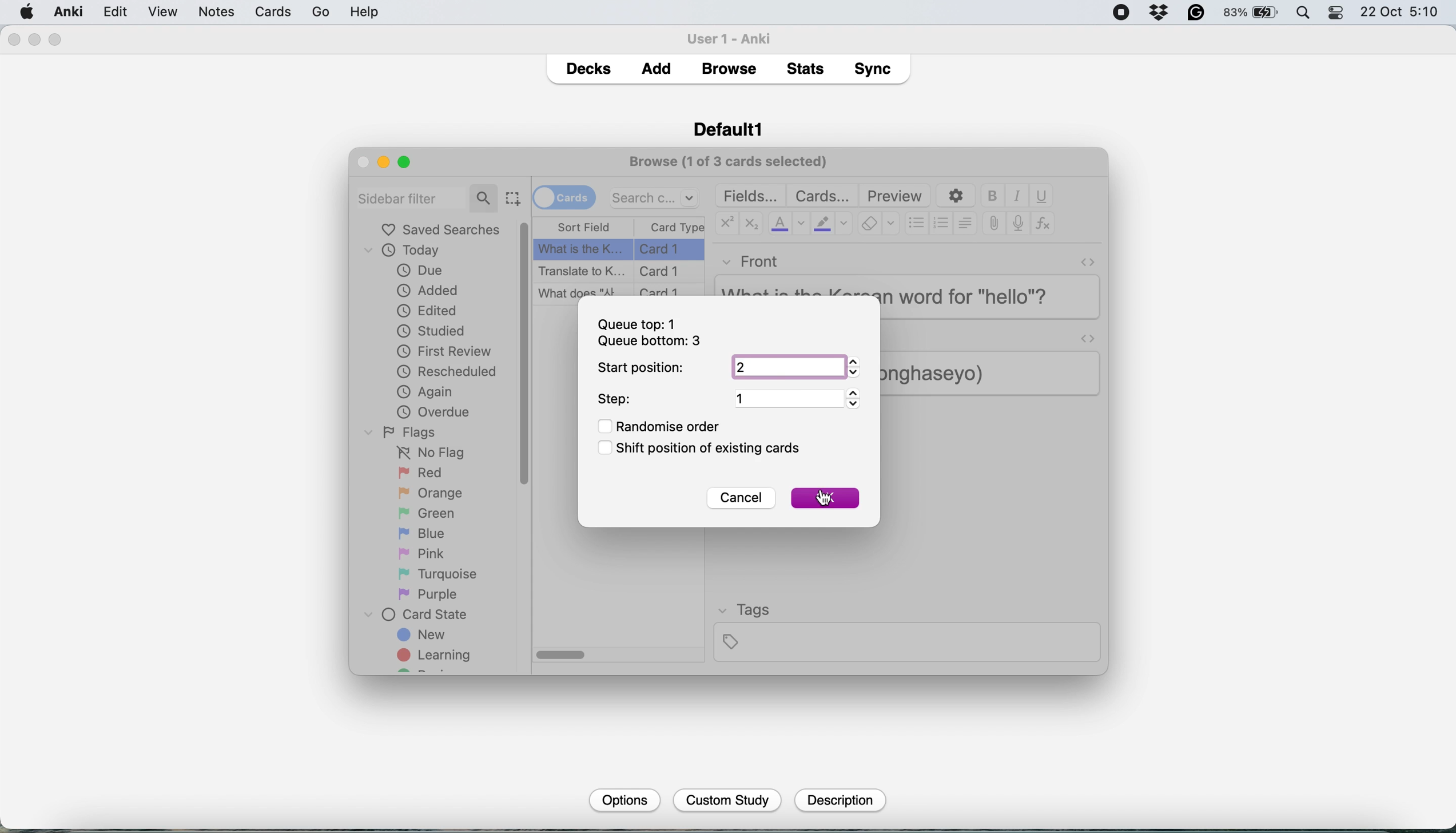 The width and height of the screenshot is (1456, 833). Describe the element at coordinates (1043, 224) in the screenshot. I see `function` at that location.